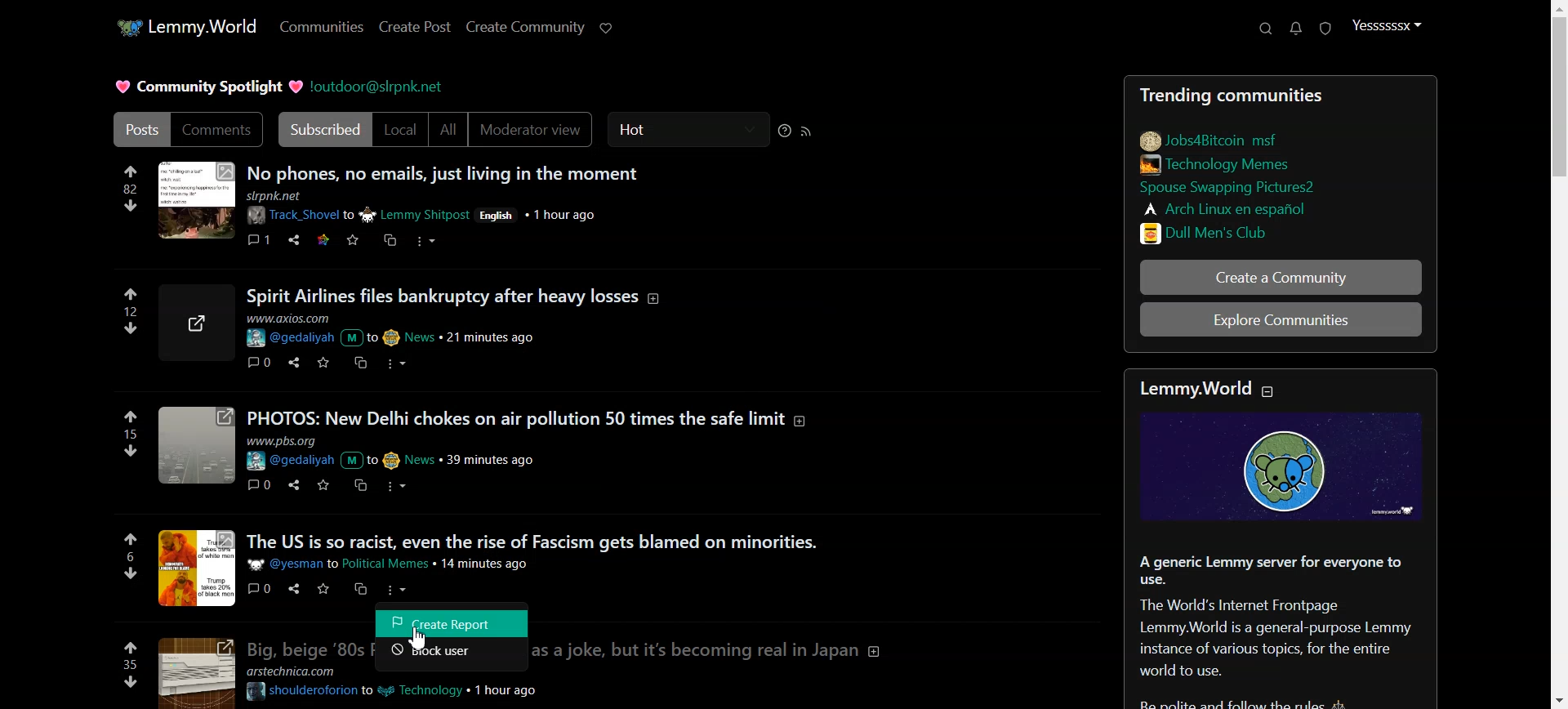  I want to click on save, so click(352, 241).